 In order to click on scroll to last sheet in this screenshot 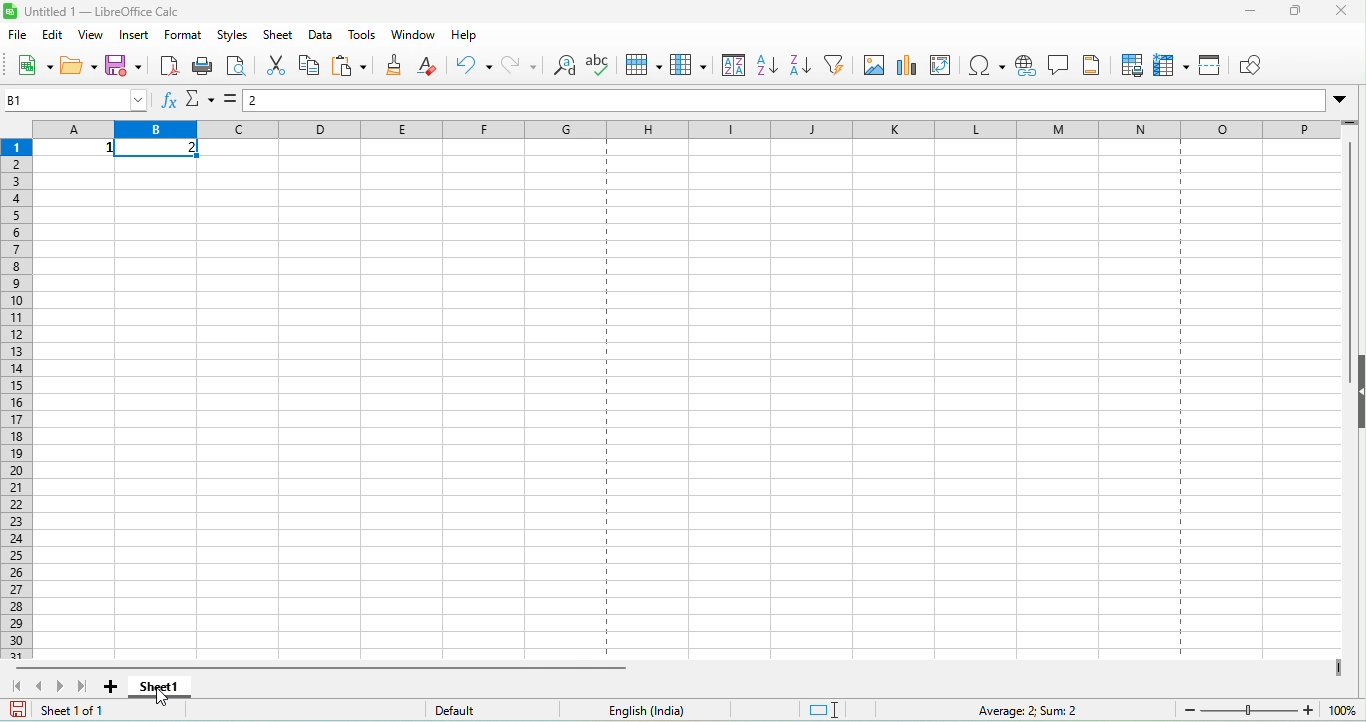, I will do `click(86, 688)`.